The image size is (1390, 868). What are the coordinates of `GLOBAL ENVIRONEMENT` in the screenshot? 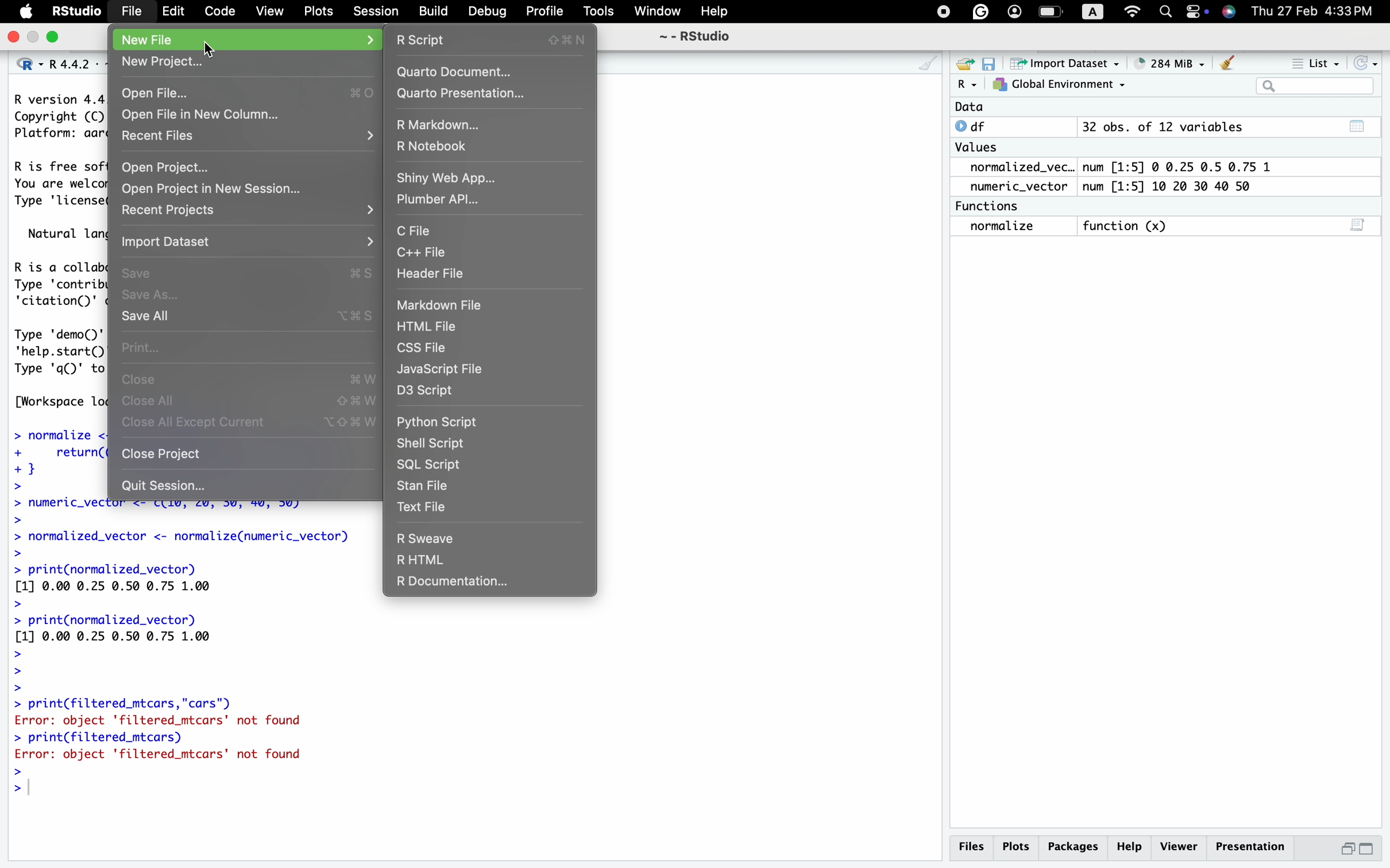 It's located at (1059, 87).